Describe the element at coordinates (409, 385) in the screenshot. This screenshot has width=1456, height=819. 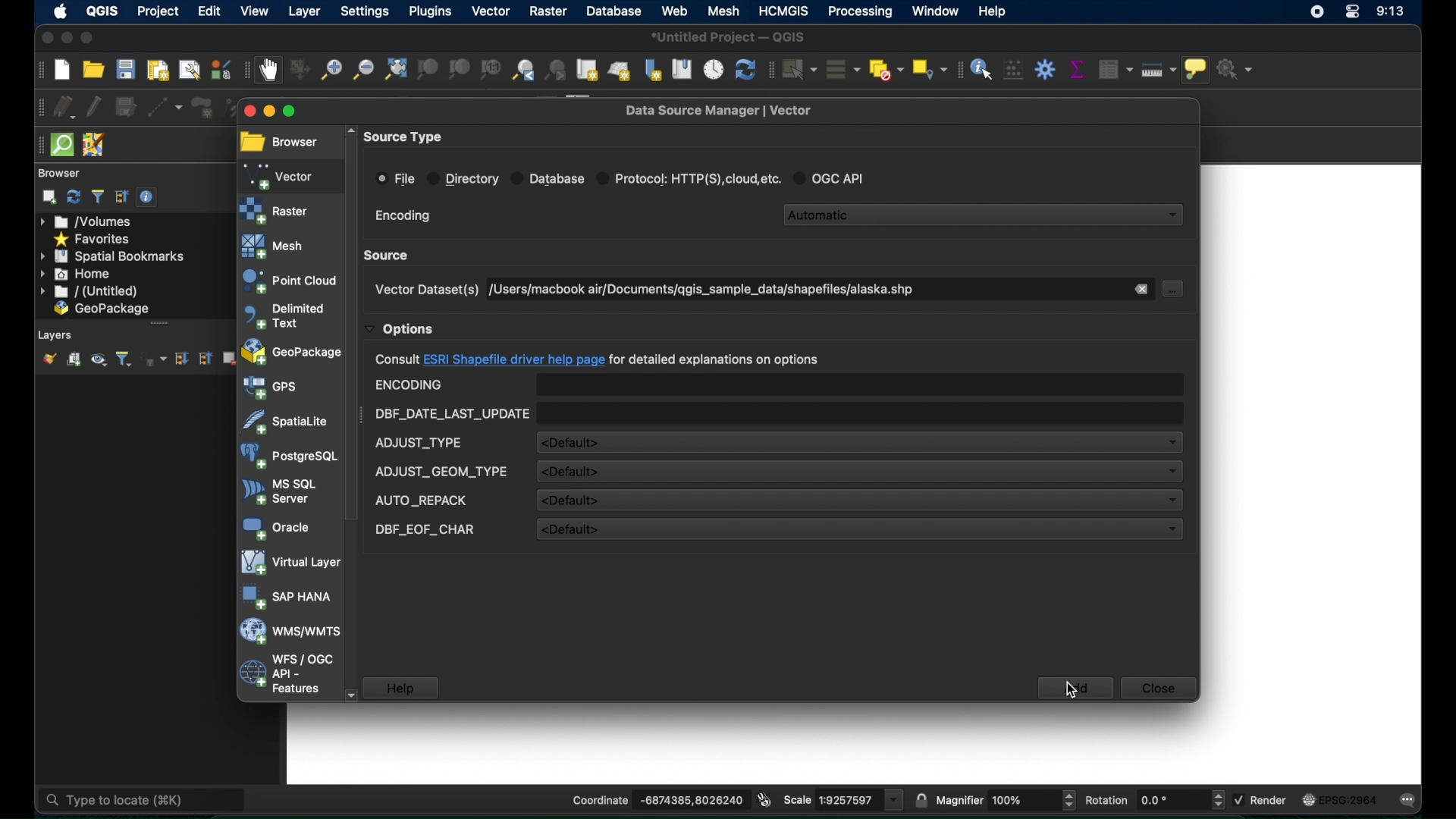
I see `encoding` at that location.